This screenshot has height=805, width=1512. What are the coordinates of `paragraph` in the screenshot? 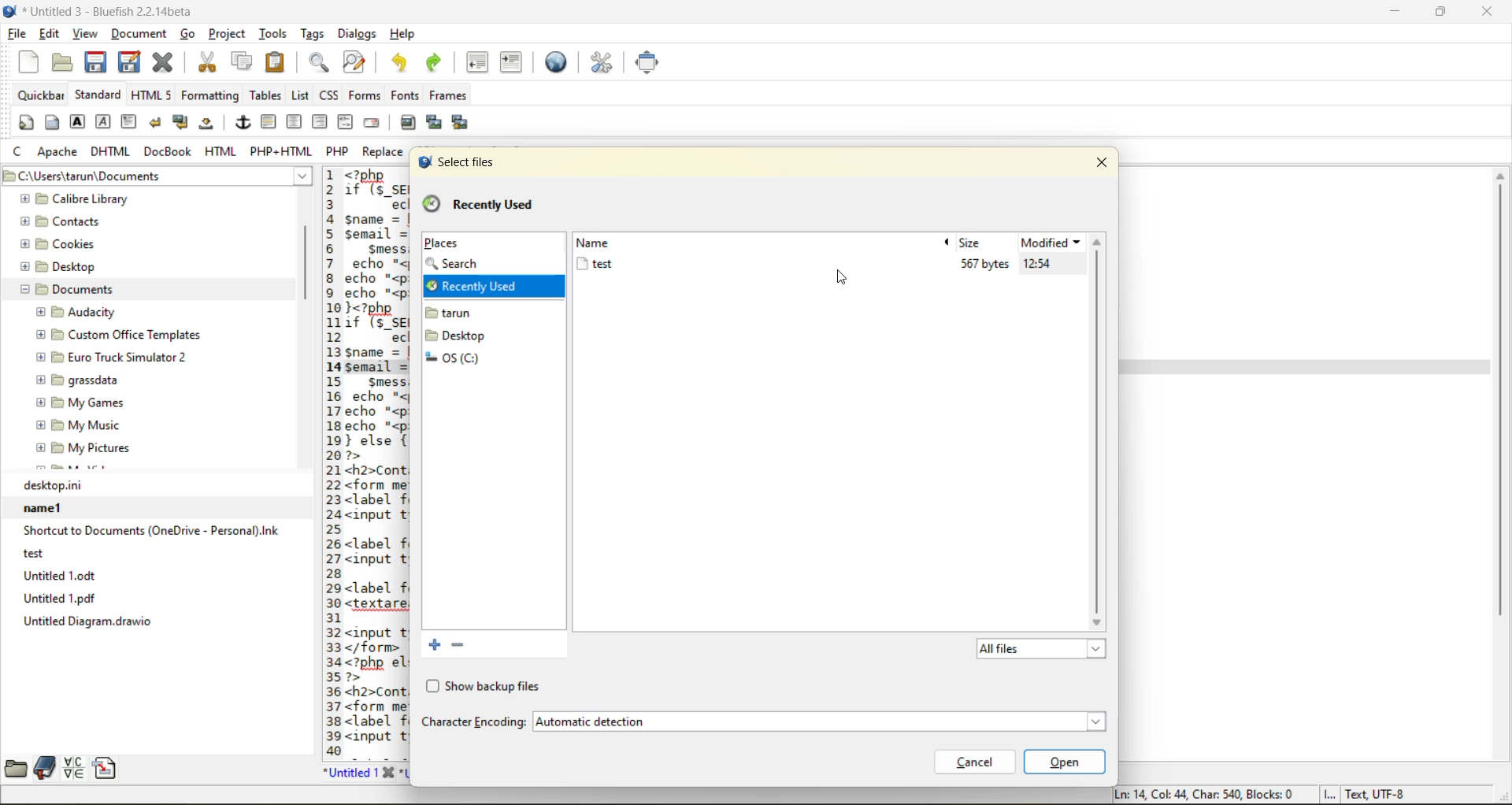 It's located at (130, 121).